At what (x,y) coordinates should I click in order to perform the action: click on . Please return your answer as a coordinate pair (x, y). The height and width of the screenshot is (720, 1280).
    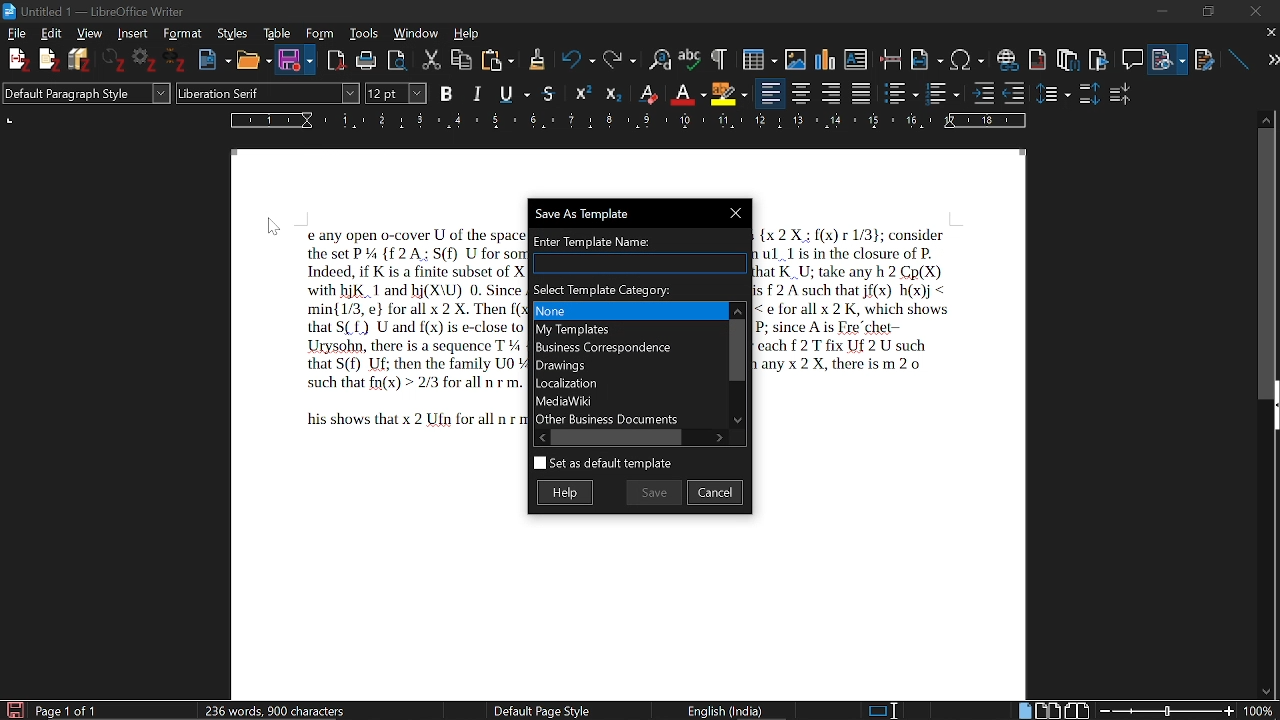
    Looking at the image, I should click on (1055, 93).